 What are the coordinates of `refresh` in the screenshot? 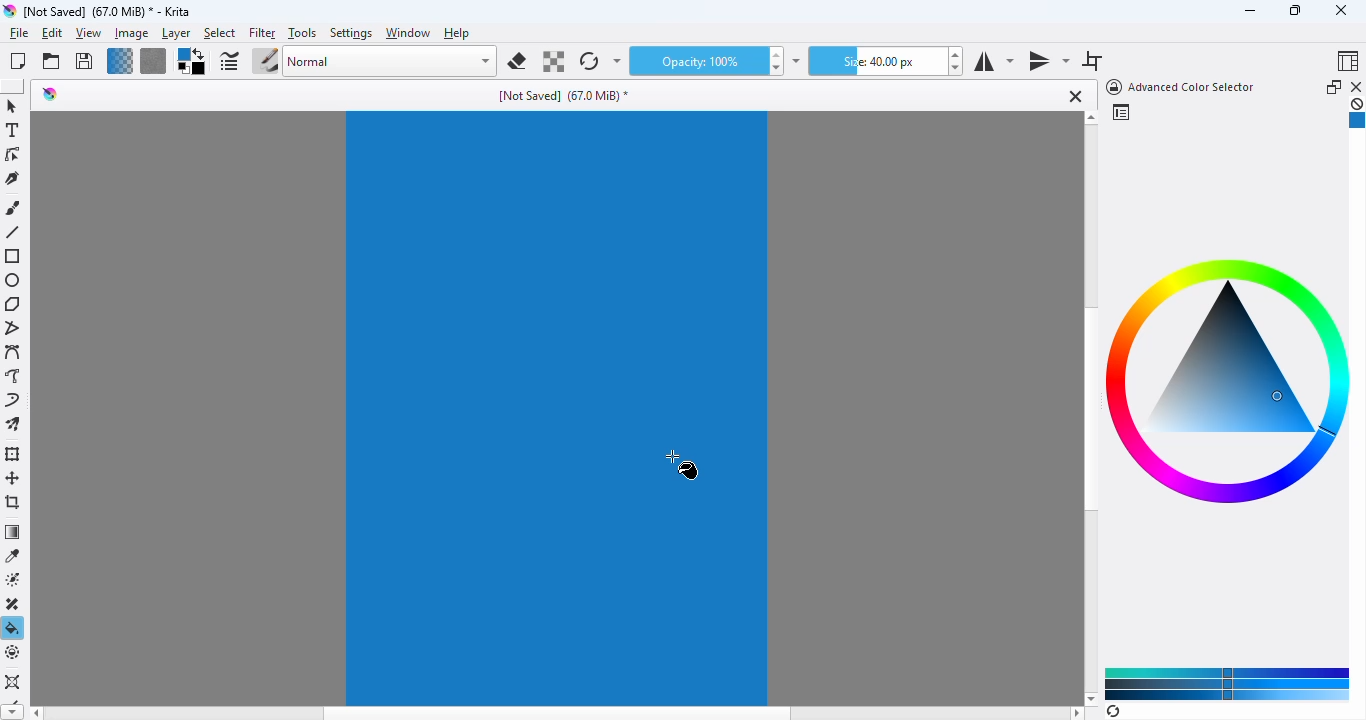 It's located at (1113, 711).